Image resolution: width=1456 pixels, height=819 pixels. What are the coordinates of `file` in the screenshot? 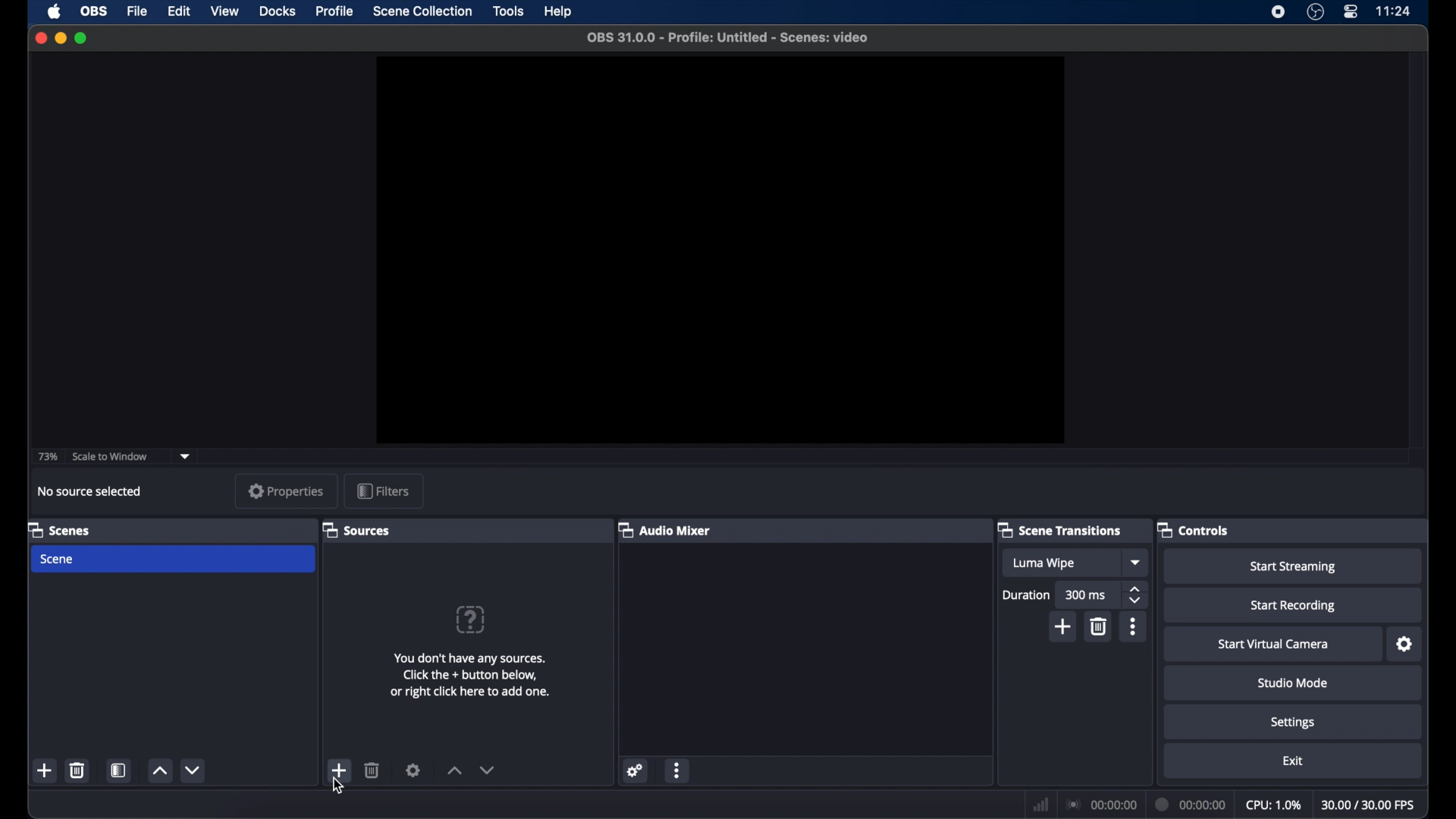 It's located at (138, 11).